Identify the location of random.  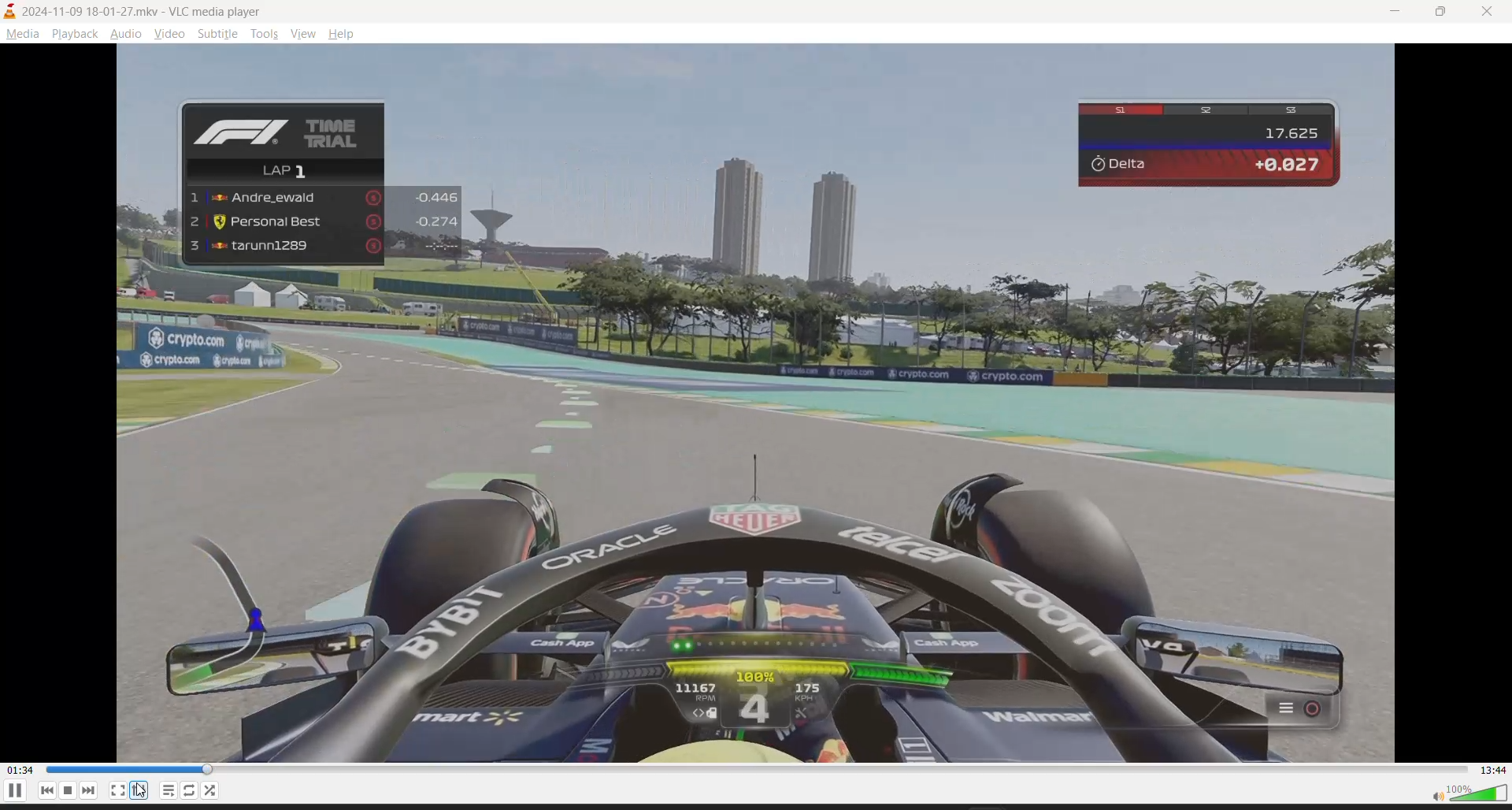
(213, 790).